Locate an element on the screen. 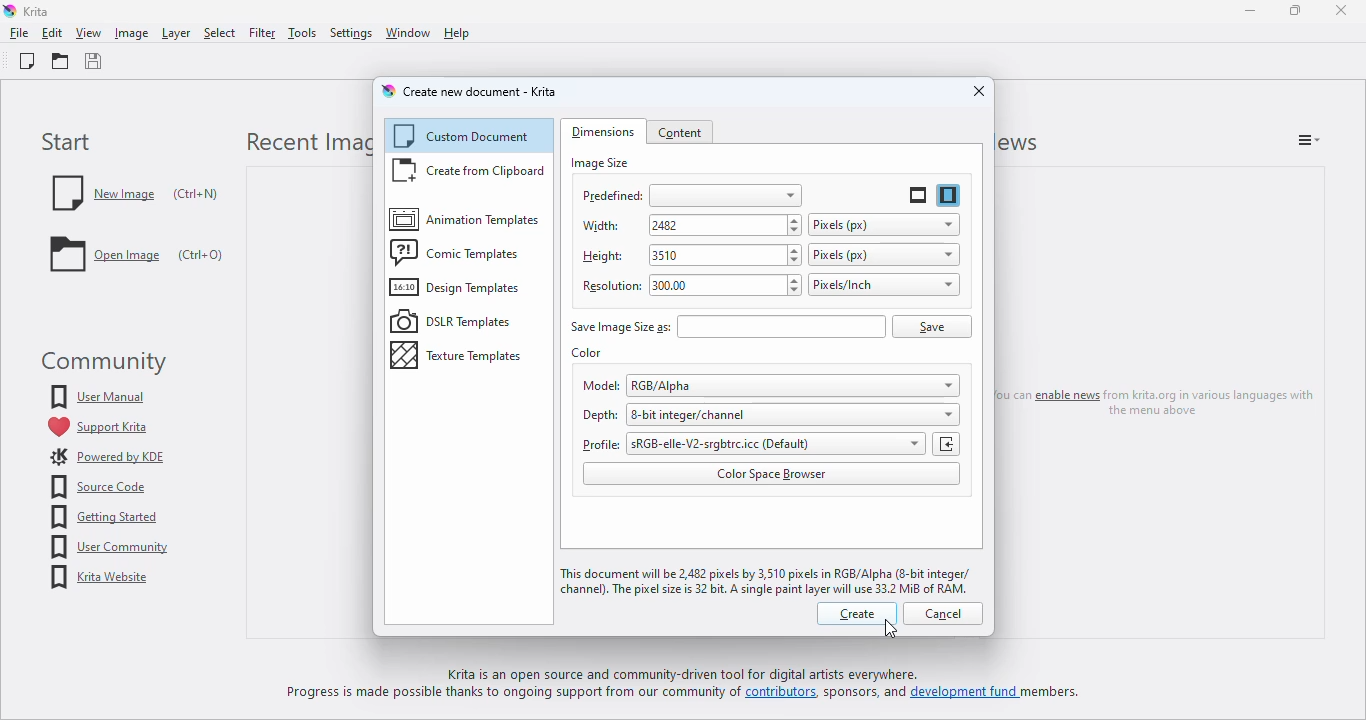 The height and width of the screenshot is (720, 1366). layer is located at coordinates (175, 33).